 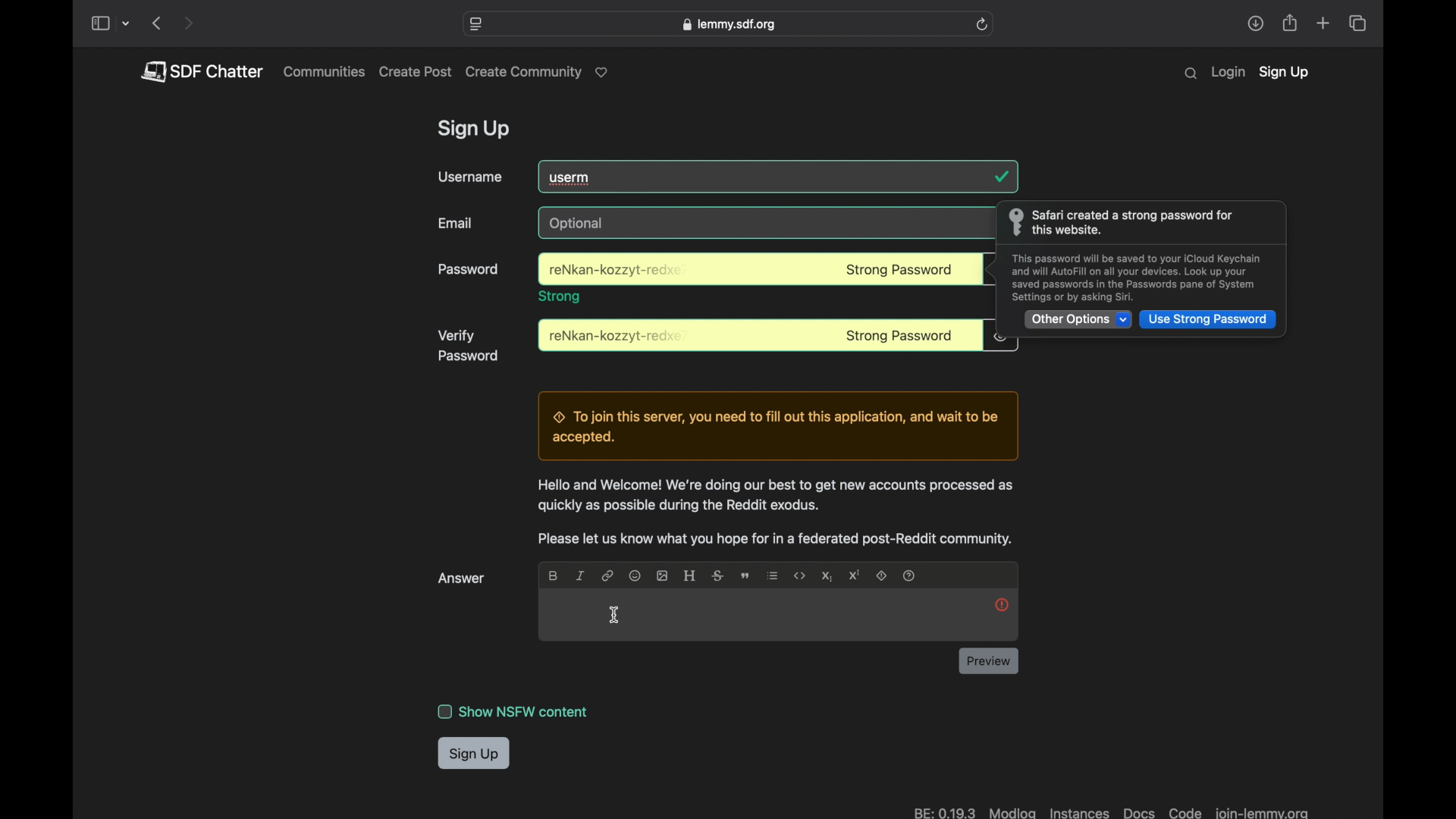 I want to click on verify password, so click(x=469, y=346).